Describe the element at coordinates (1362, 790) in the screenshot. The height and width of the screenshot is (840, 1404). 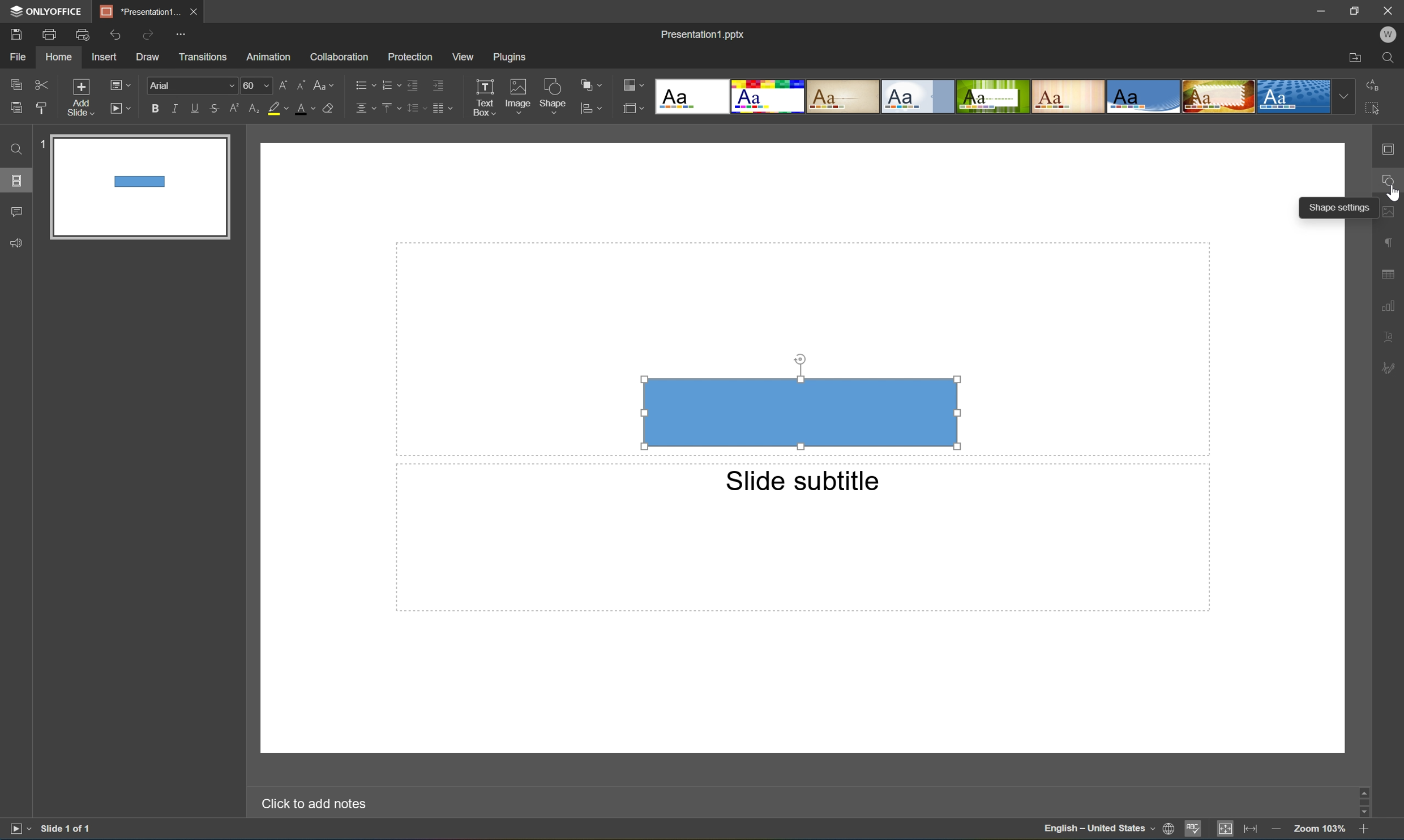
I see `scroll up` at that location.